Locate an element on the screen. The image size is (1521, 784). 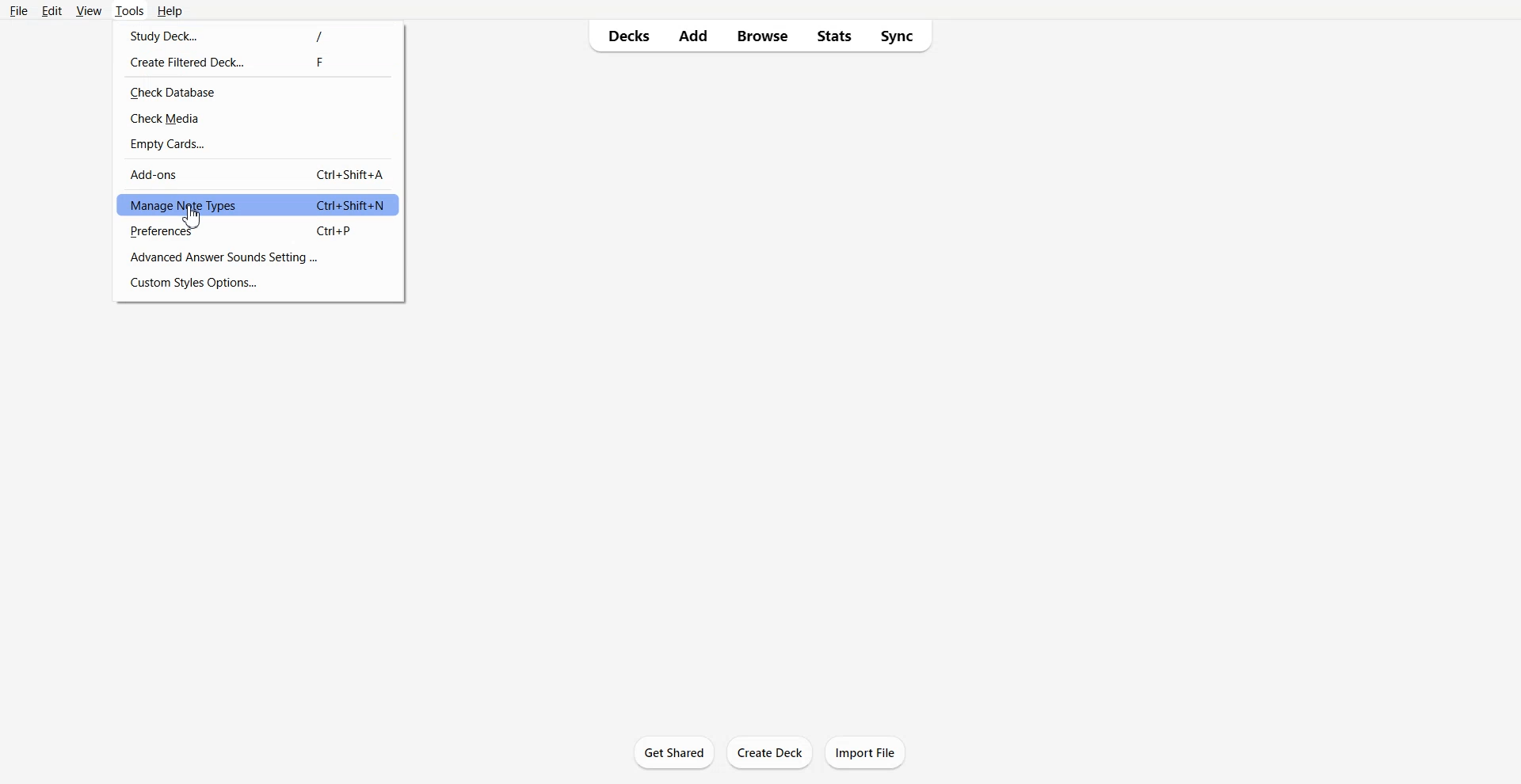
Check Media is located at coordinates (260, 118).